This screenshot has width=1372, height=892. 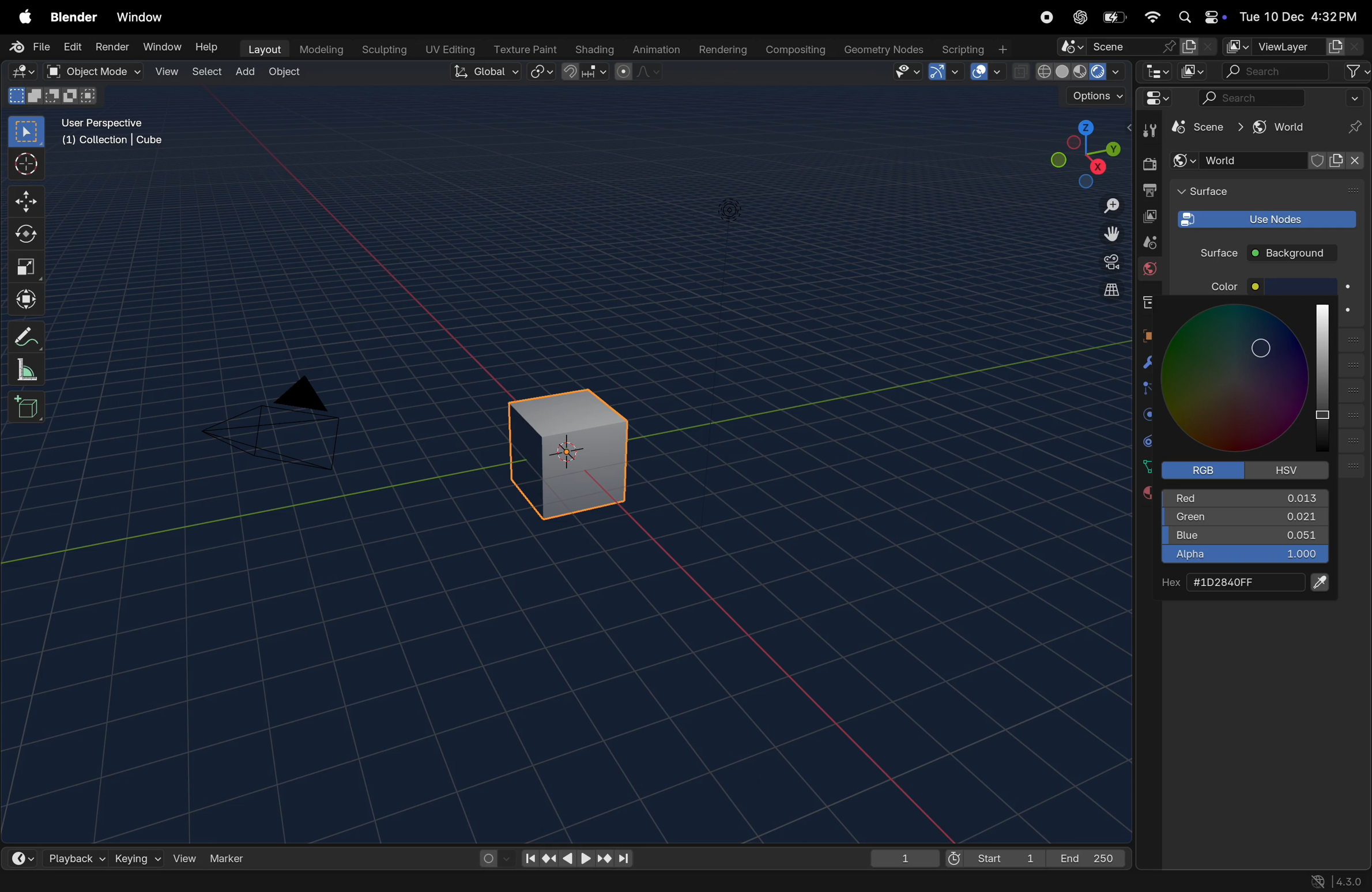 What do you see at coordinates (996, 855) in the screenshot?
I see `start` at bounding box center [996, 855].